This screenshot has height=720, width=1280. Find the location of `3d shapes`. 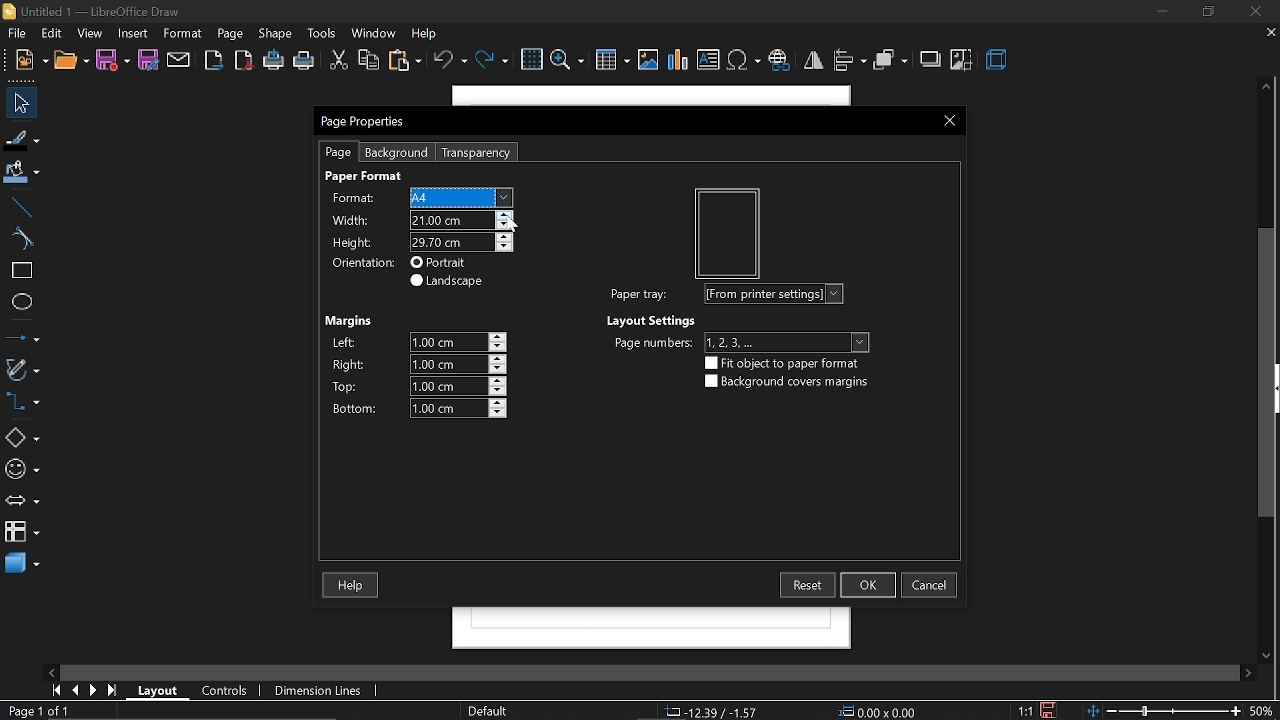

3d shapes is located at coordinates (23, 566).